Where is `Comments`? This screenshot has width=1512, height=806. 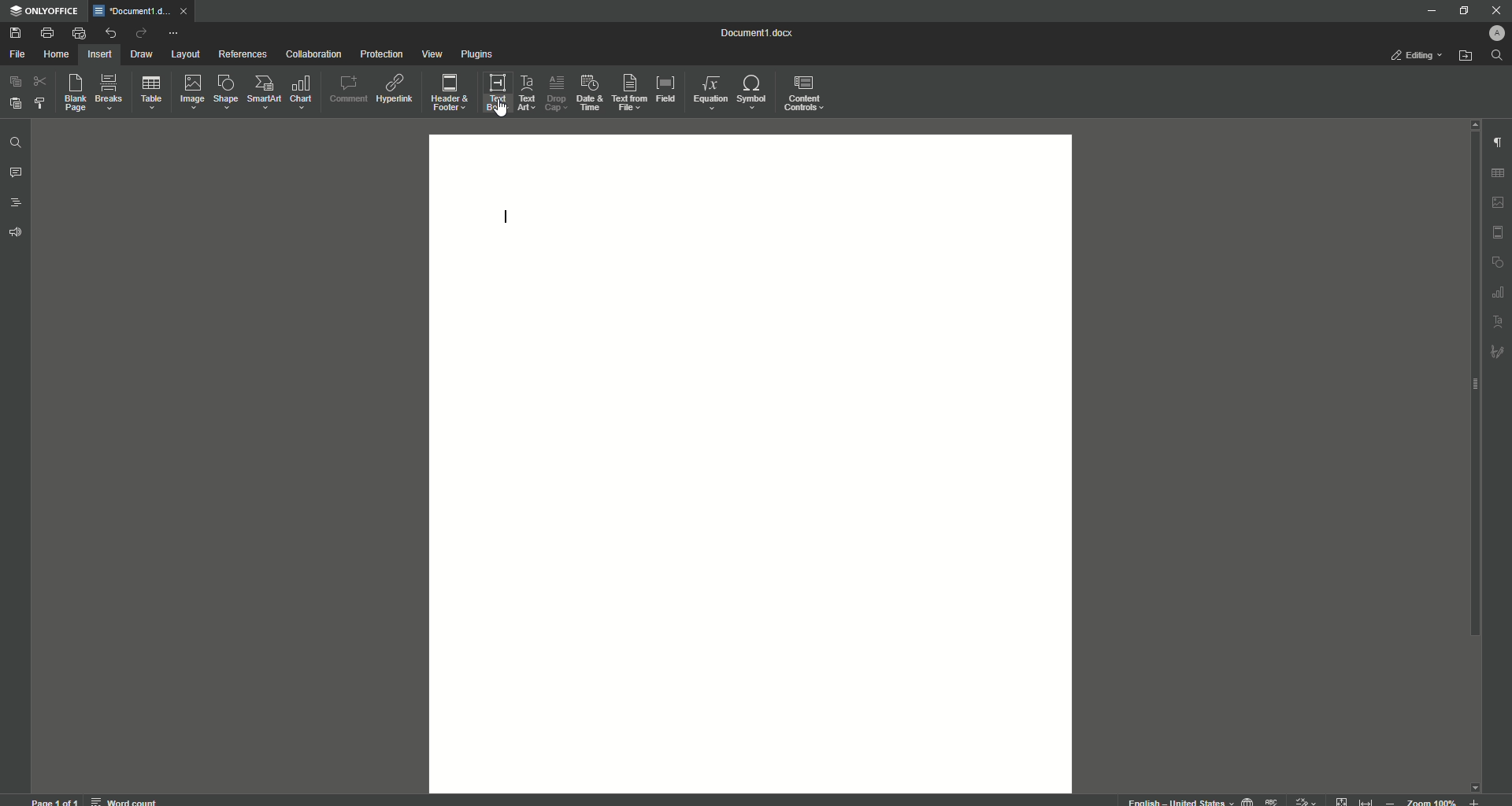 Comments is located at coordinates (16, 173).